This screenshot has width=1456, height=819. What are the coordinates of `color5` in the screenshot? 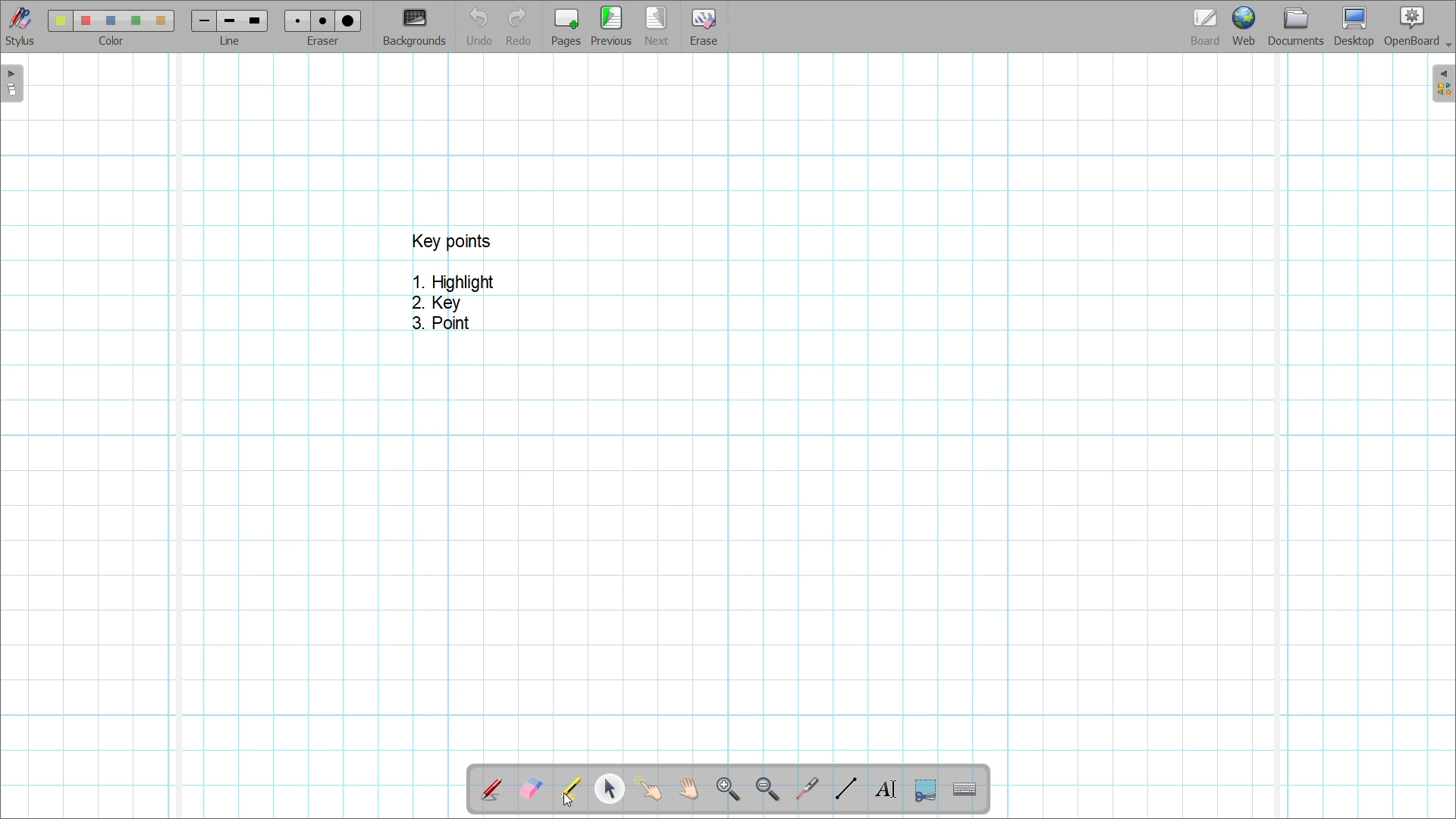 It's located at (159, 21).